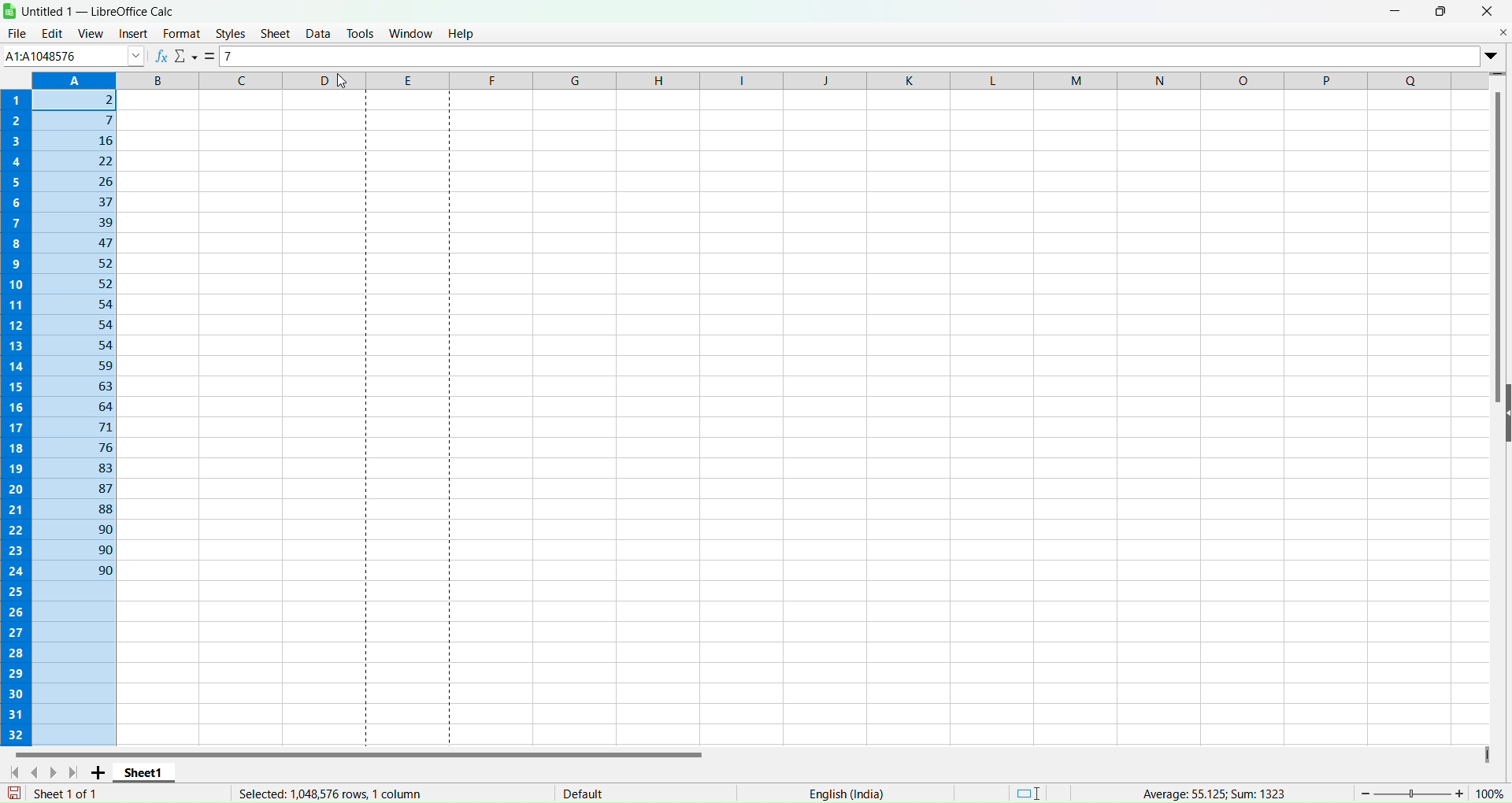  What do you see at coordinates (846, 794) in the screenshot?
I see `Language` at bounding box center [846, 794].